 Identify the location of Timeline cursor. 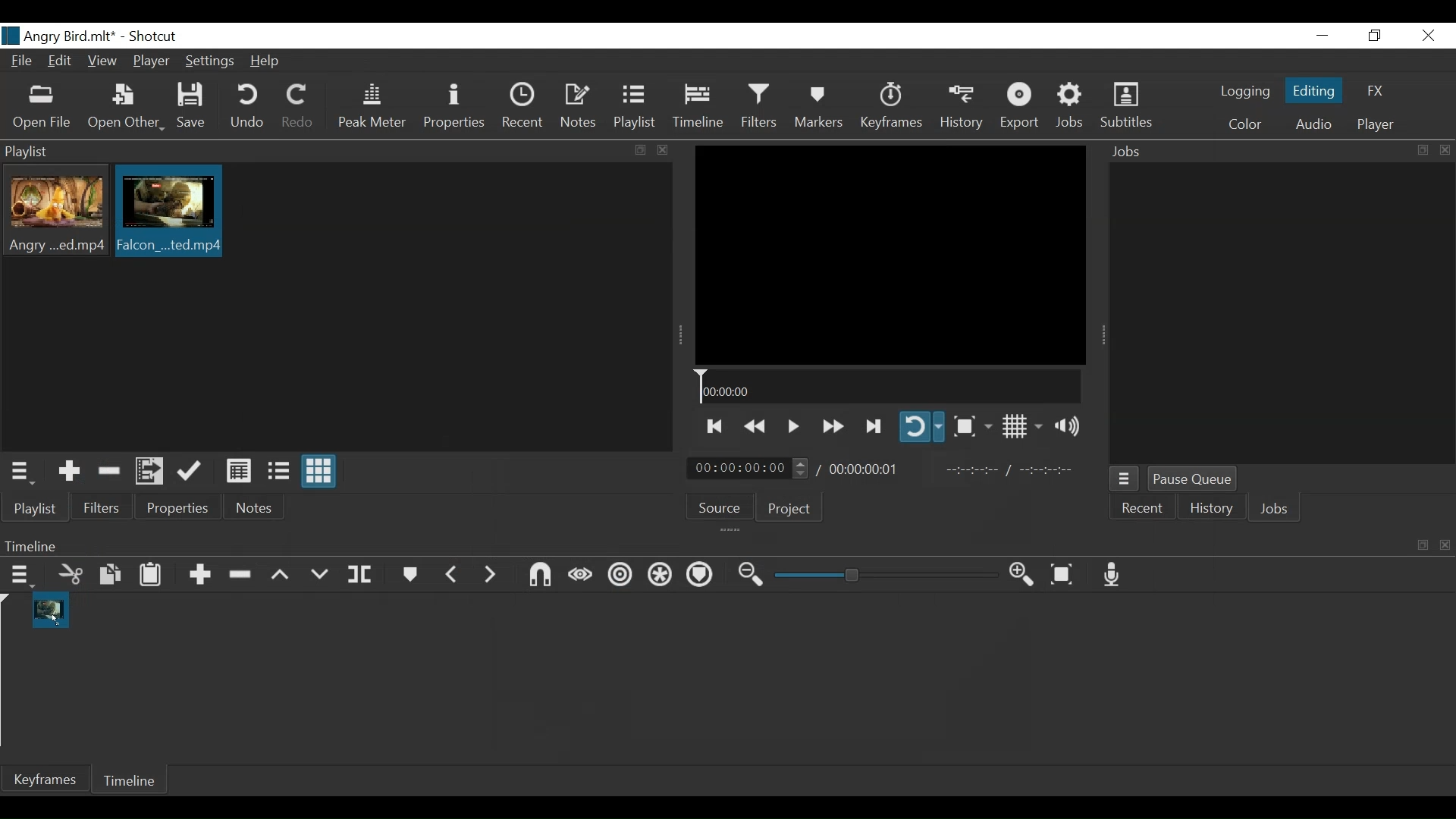
(9, 673).